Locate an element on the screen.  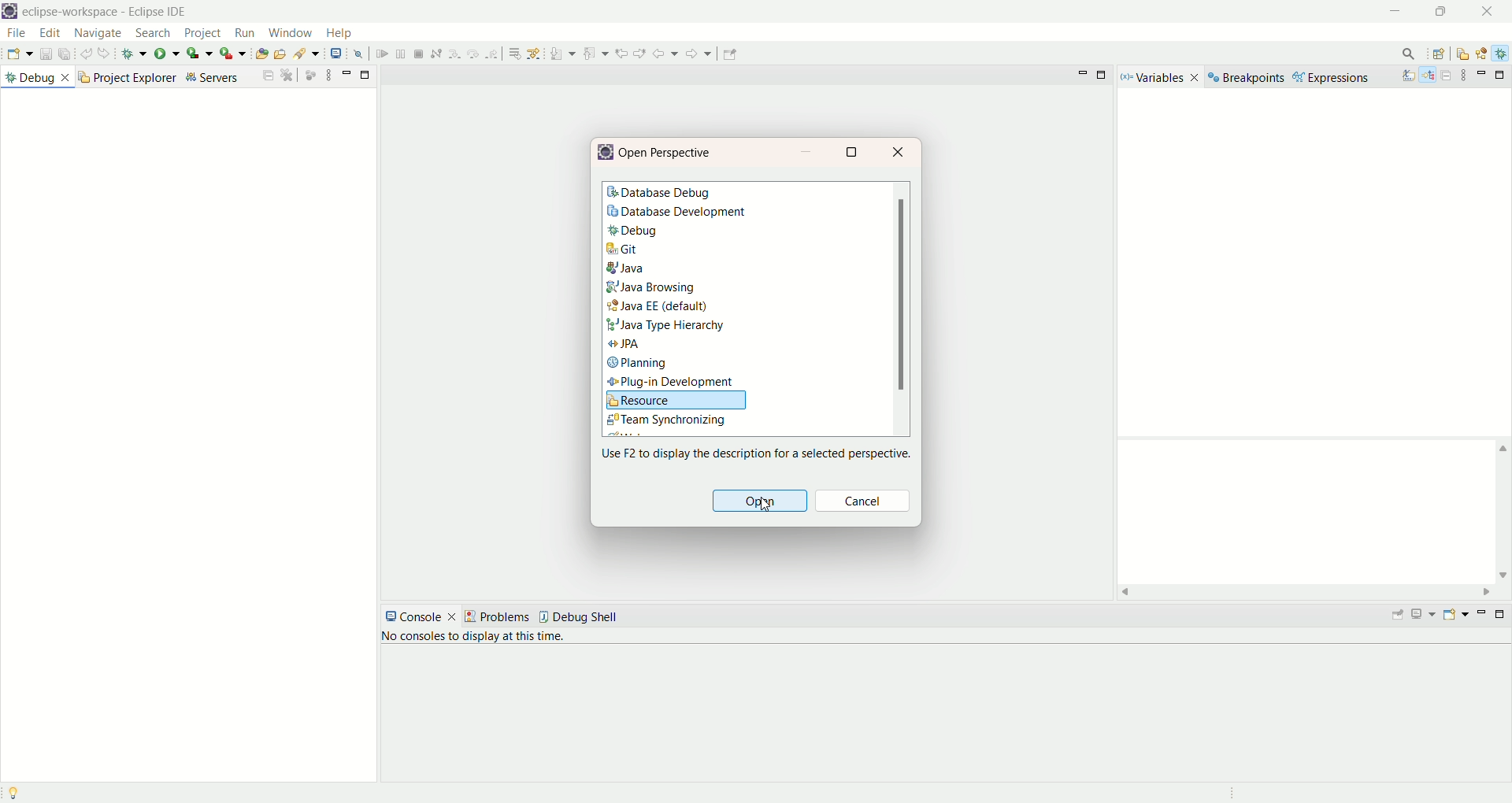
window is located at coordinates (292, 33).